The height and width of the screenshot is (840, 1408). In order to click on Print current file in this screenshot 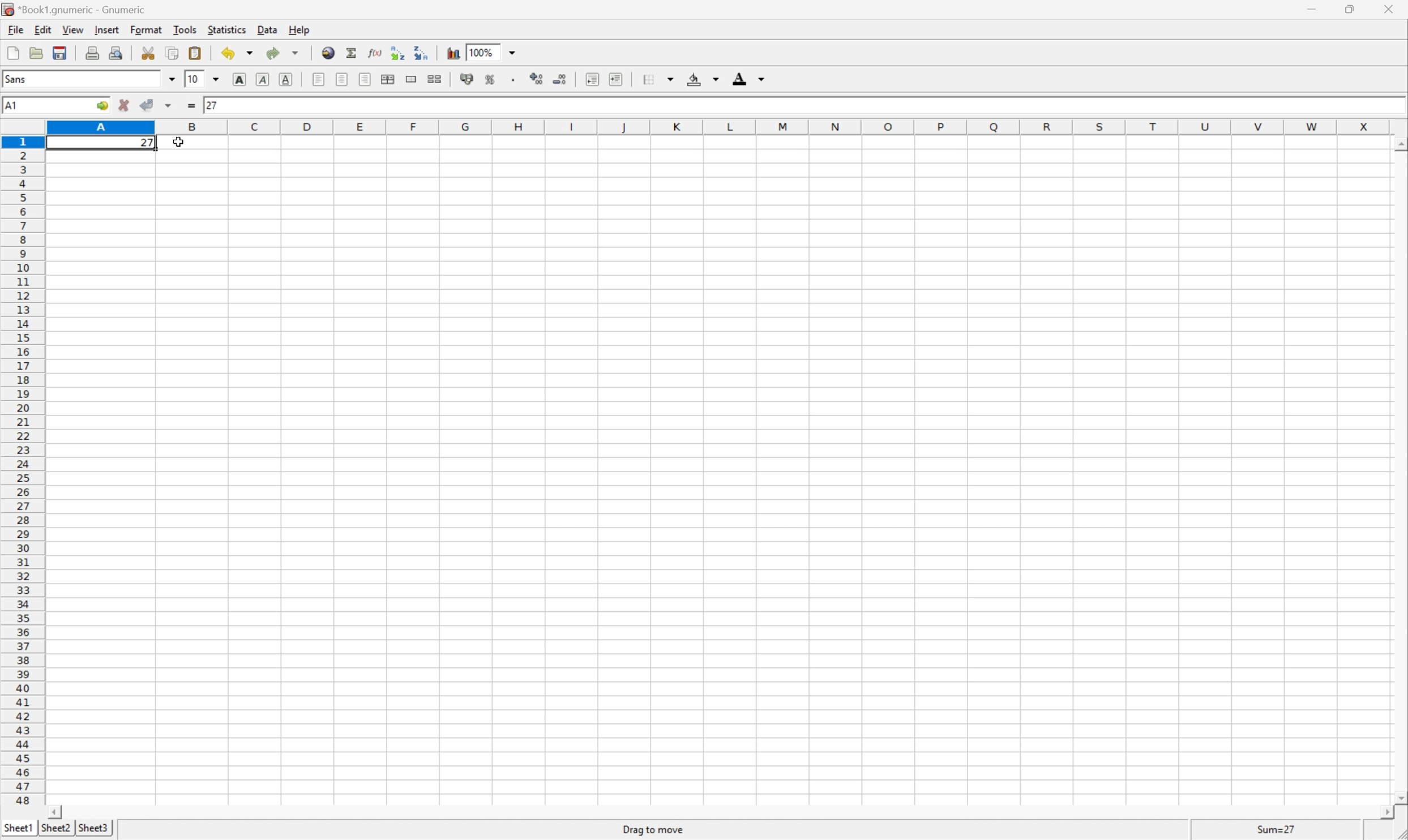, I will do `click(95, 52)`.